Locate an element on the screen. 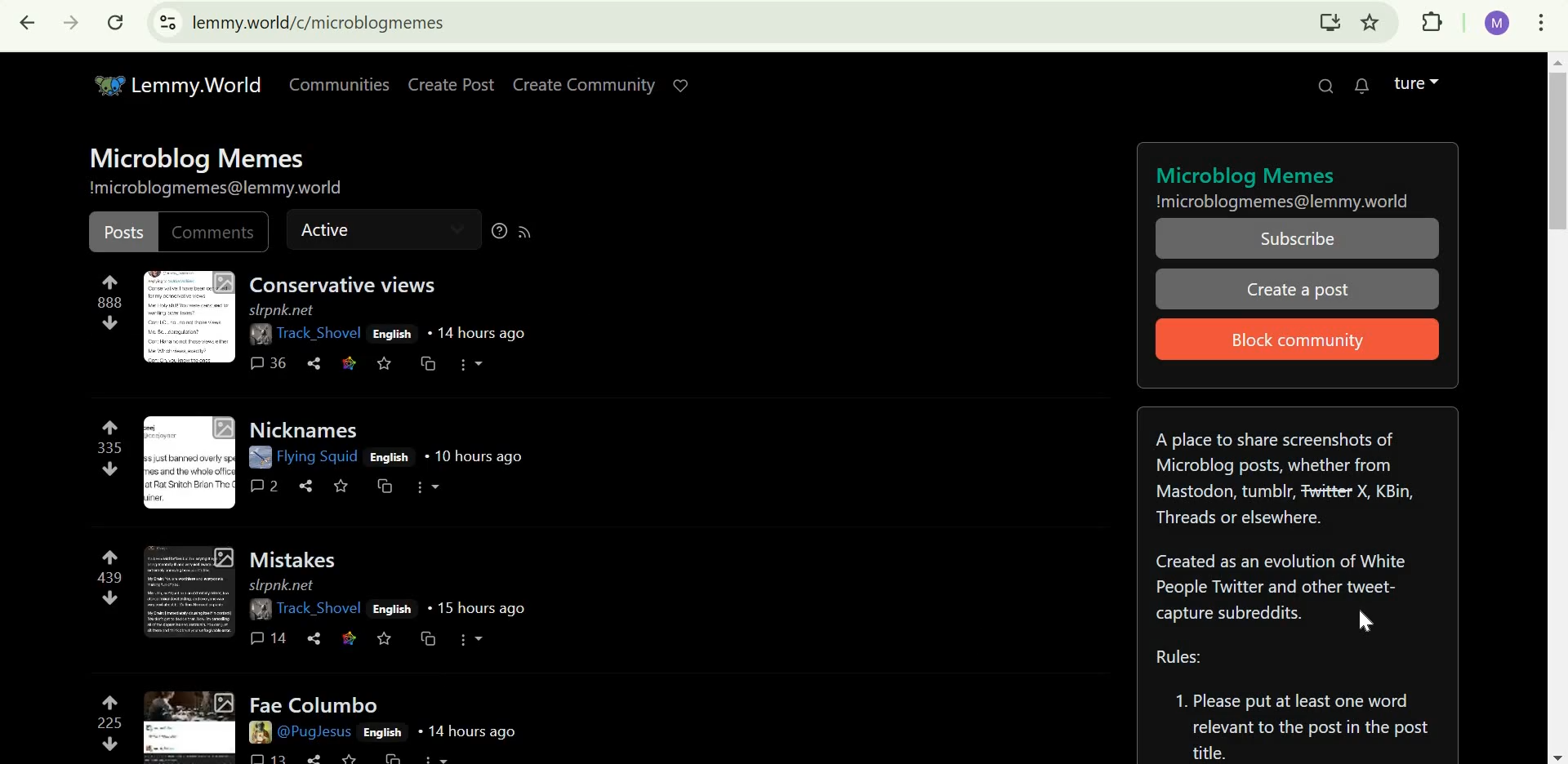 This screenshot has height=764, width=1568. navigations is located at coordinates (1543, 750).